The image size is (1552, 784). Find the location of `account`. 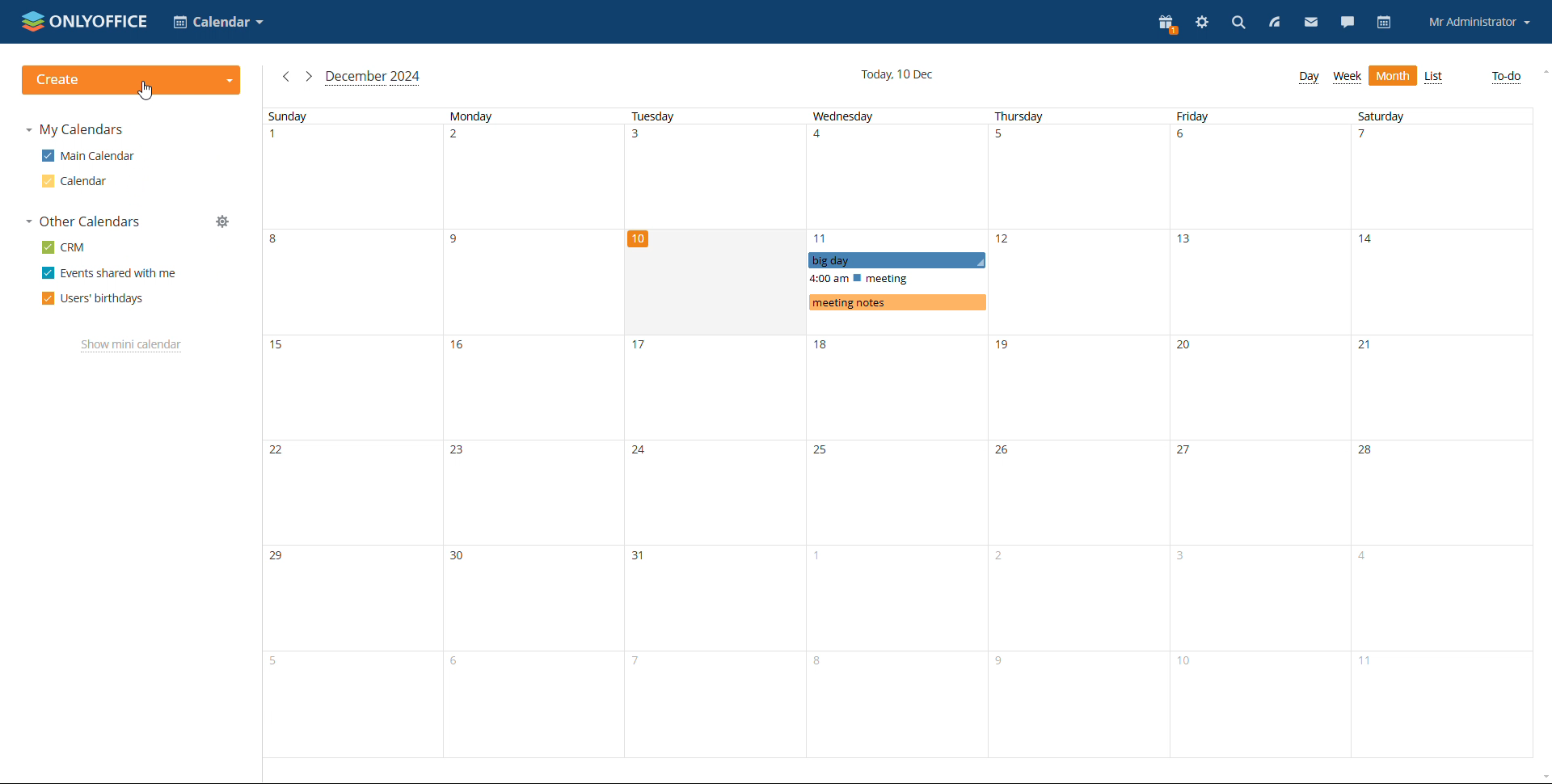

account is located at coordinates (1479, 21).